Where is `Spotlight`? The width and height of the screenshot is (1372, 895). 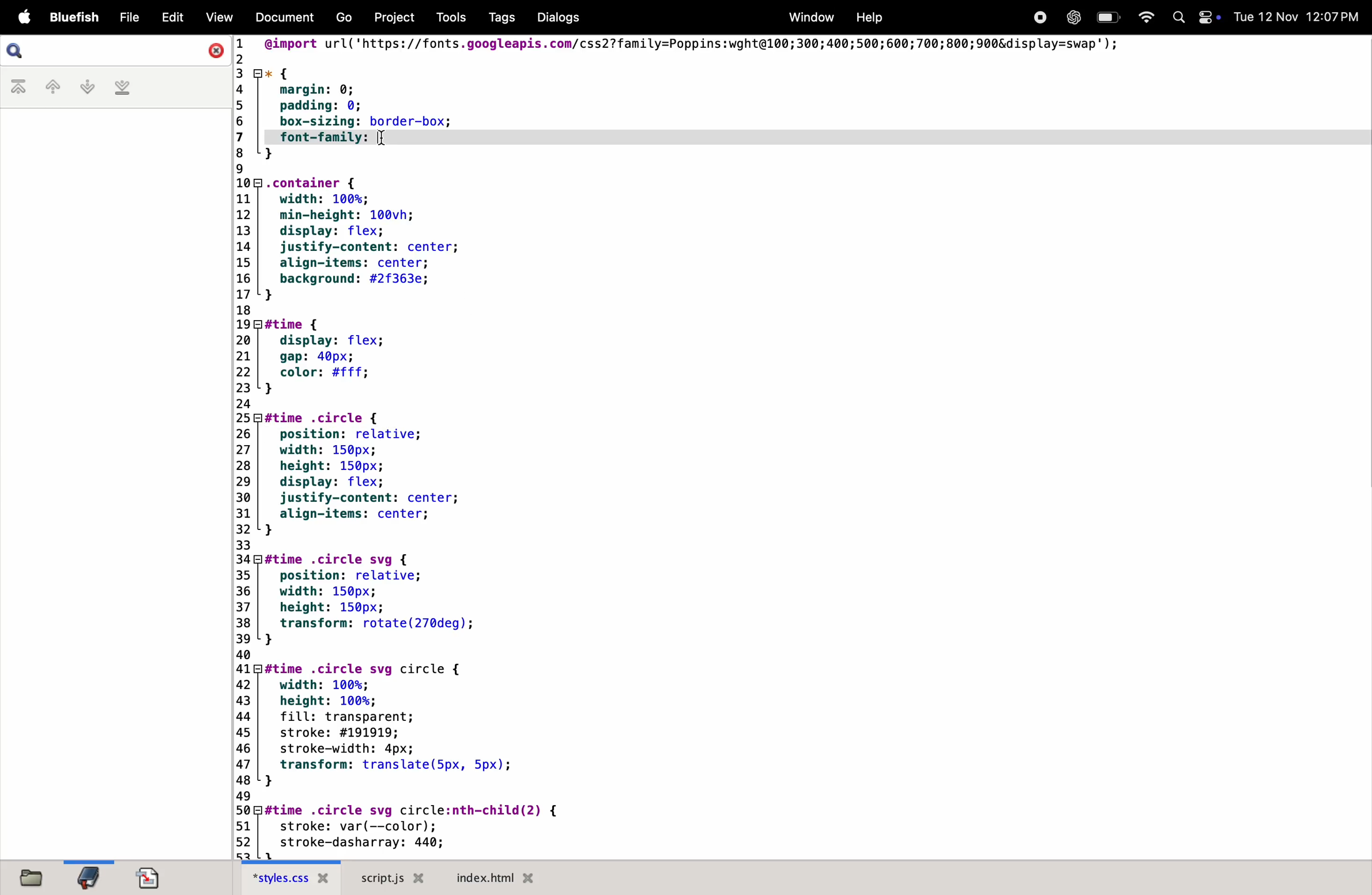
Spotlight is located at coordinates (1175, 18).